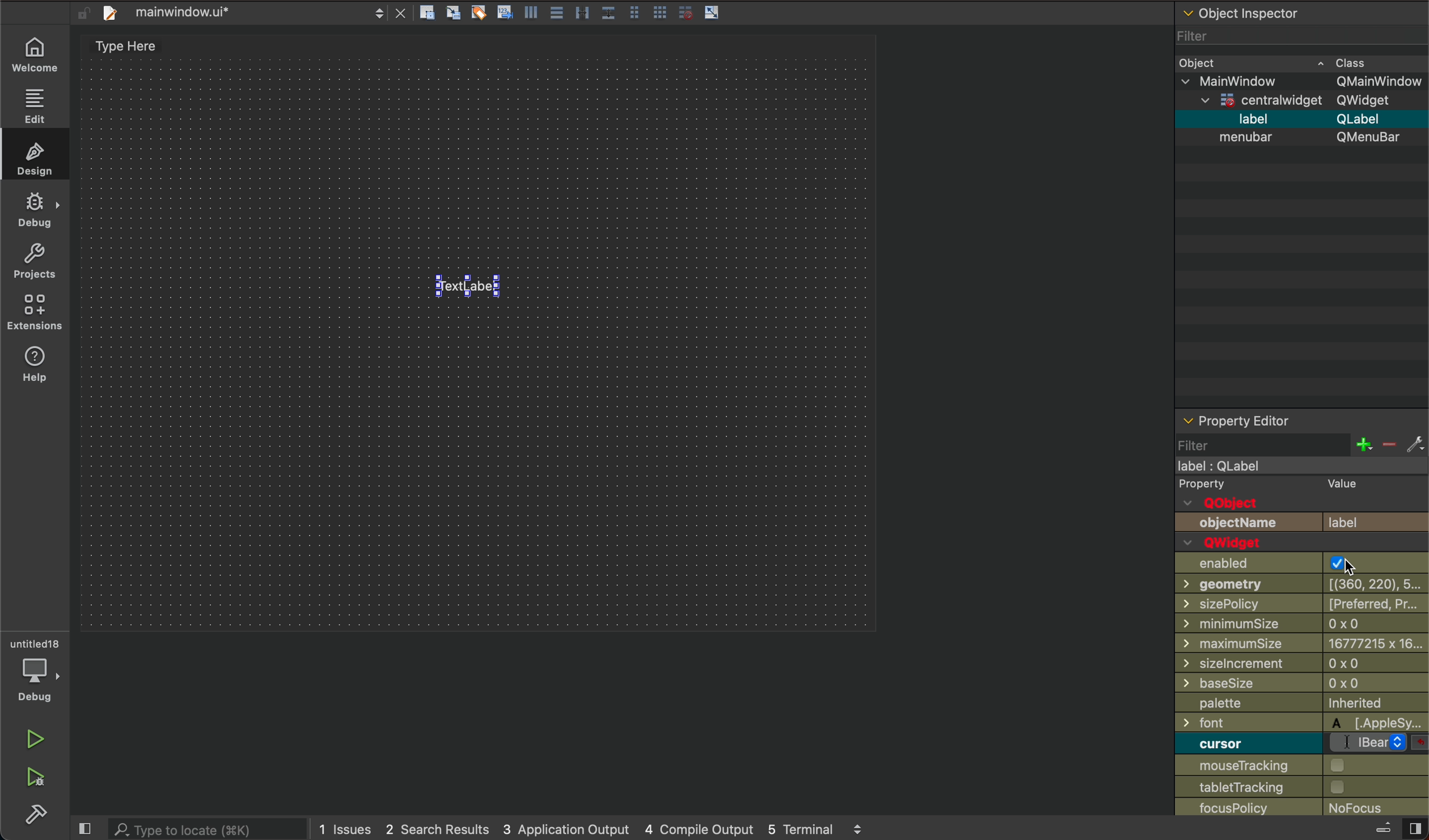 Image resolution: width=1429 pixels, height=840 pixels. Describe the element at coordinates (37, 775) in the screenshot. I see `run debug` at that location.